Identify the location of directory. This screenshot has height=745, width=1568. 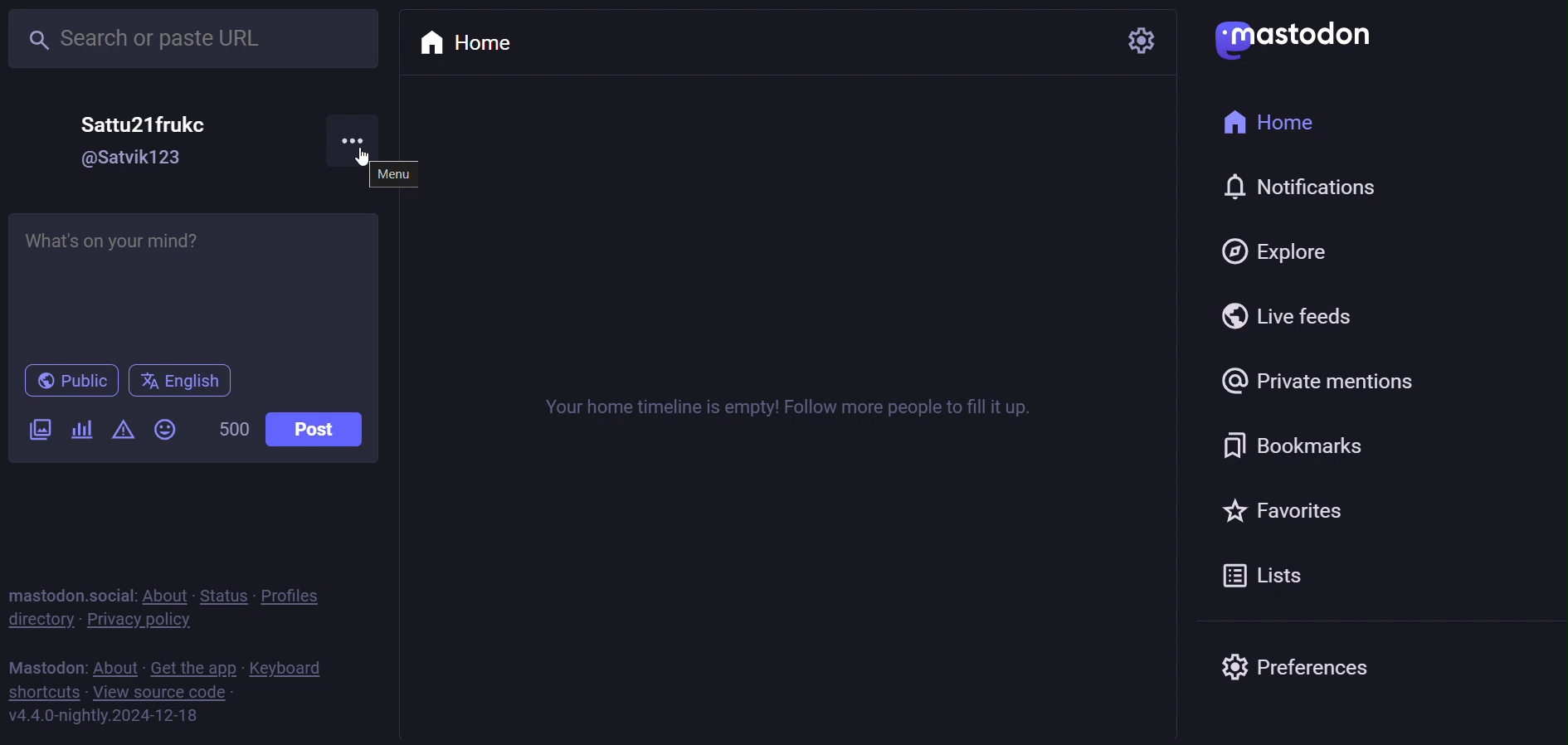
(41, 624).